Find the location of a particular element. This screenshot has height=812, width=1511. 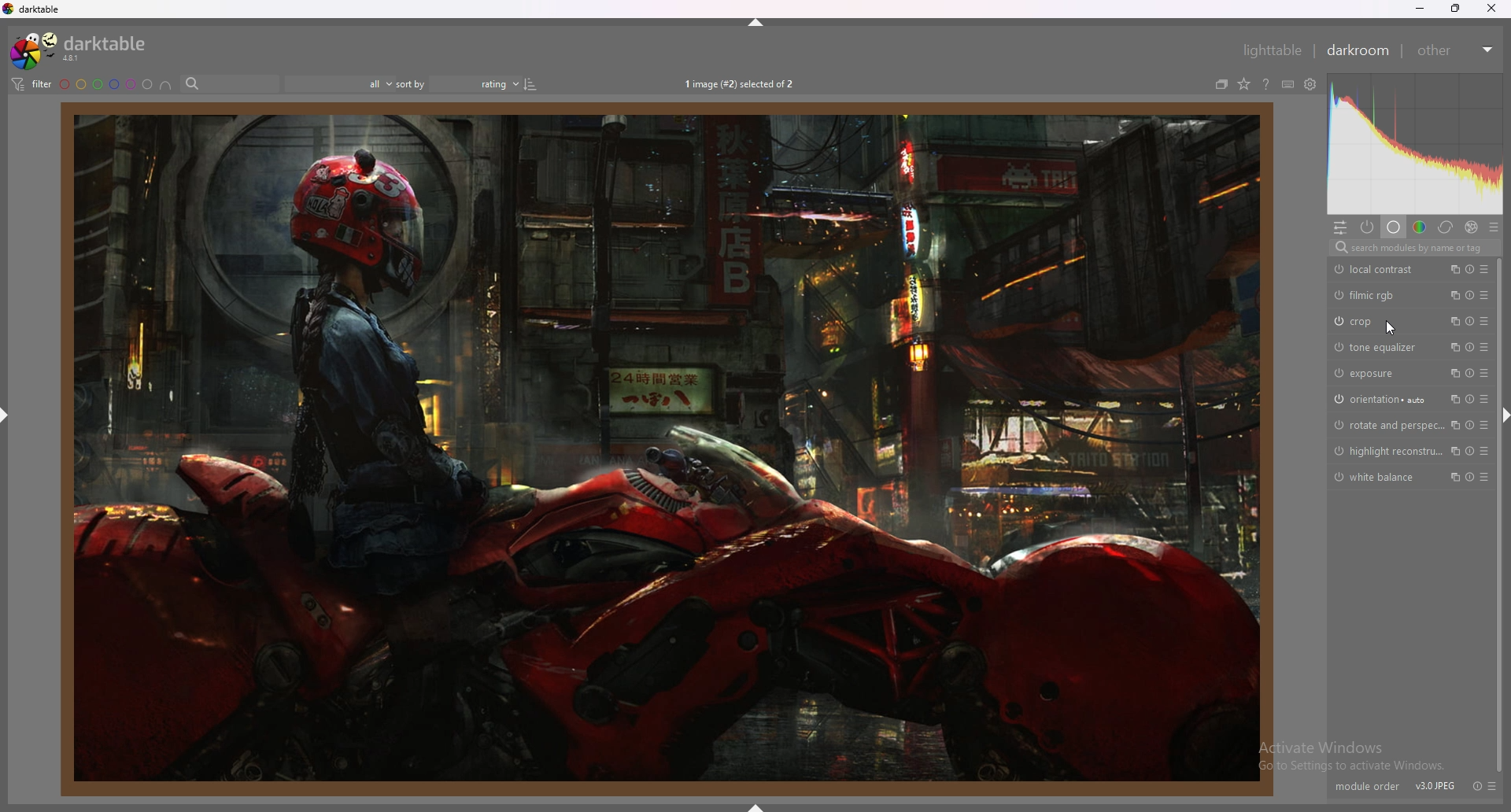

close is located at coordinates (1491, 9).